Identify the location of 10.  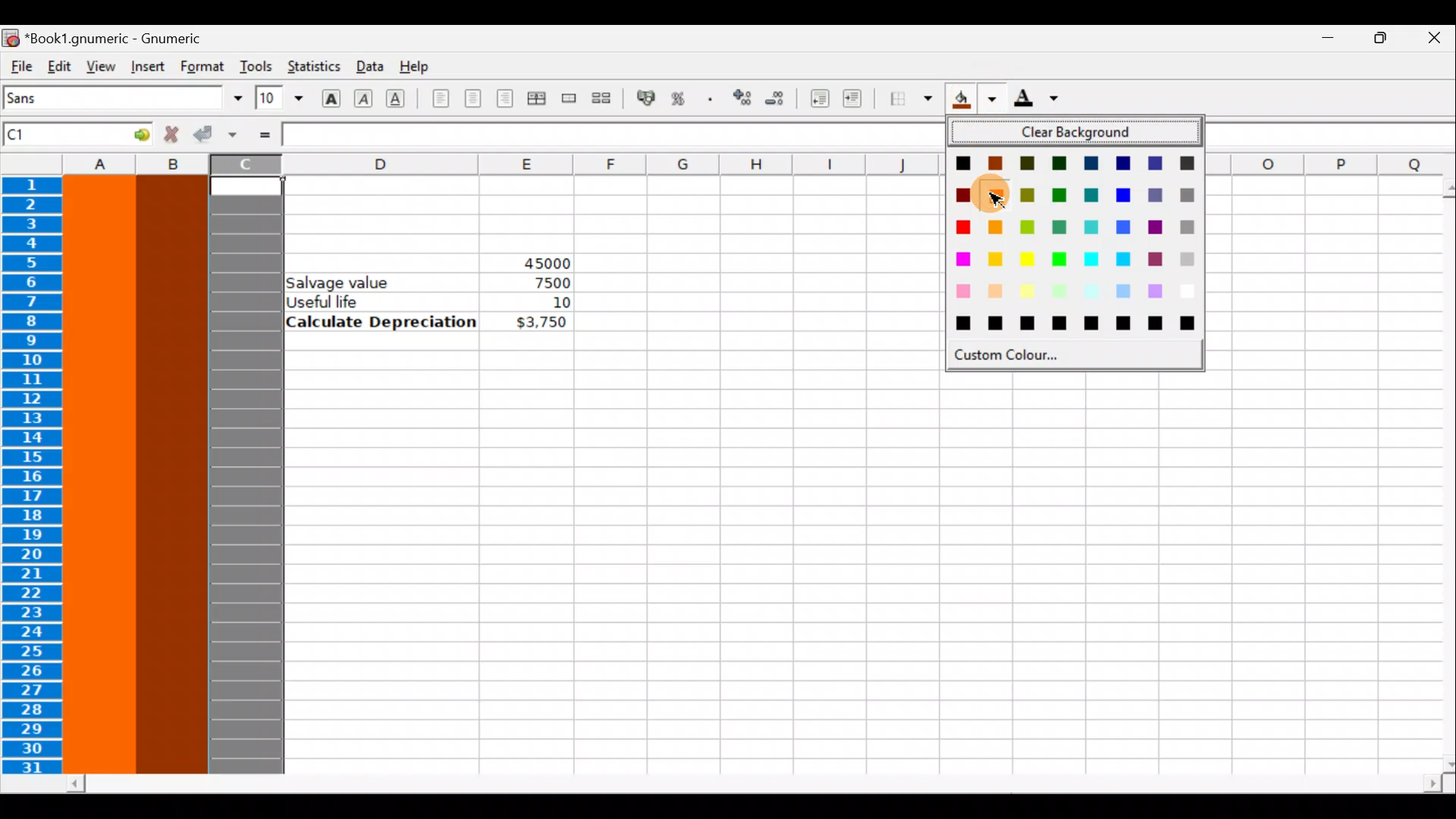
(541, 303).